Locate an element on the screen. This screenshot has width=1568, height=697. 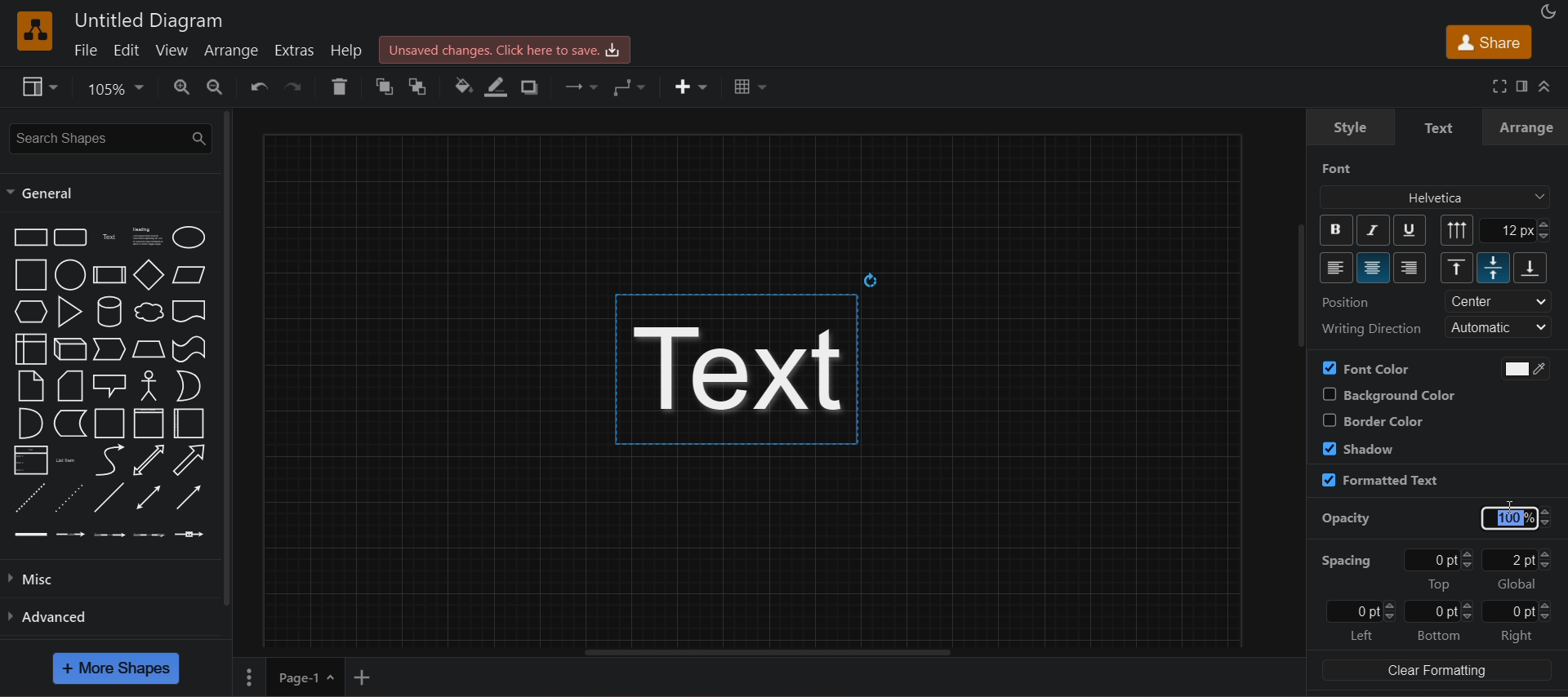
line is located at coordinates (109, 497).